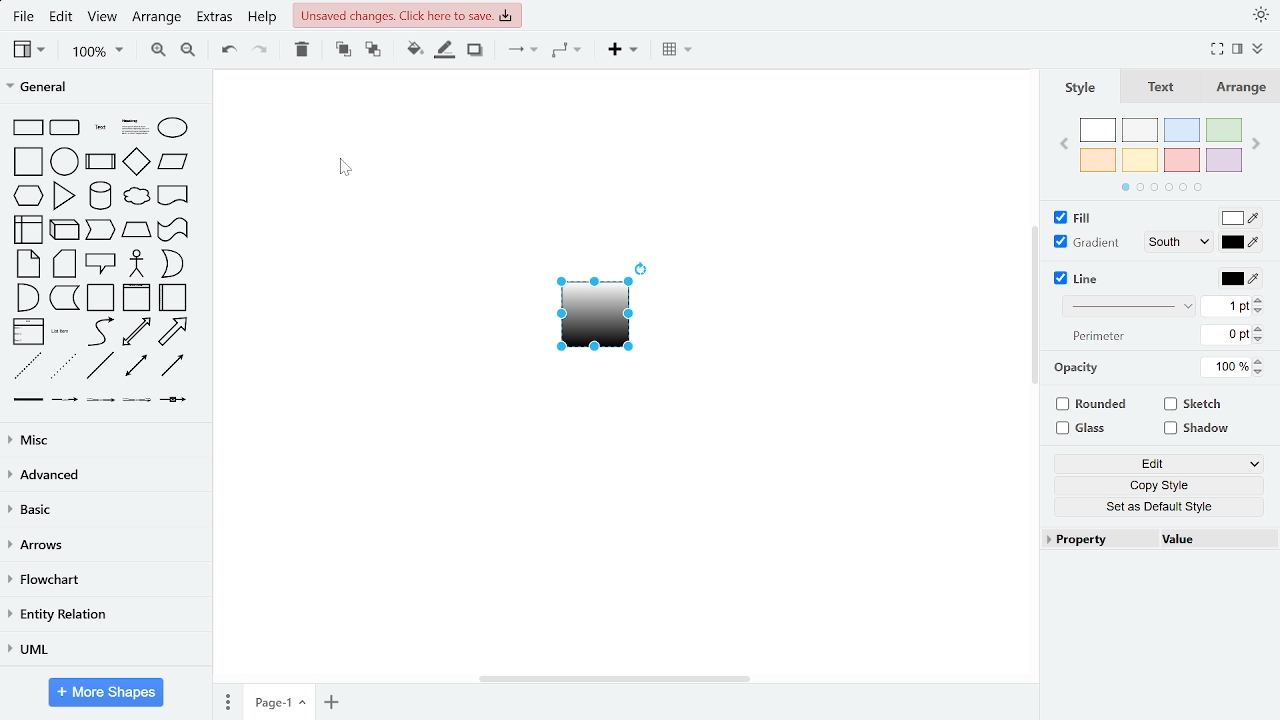 This screenshot has height=720, width=1280. What do you see at coordinates (1062, 146) in the screenshot?
I see `previous` at bounding box center [1062, 146].